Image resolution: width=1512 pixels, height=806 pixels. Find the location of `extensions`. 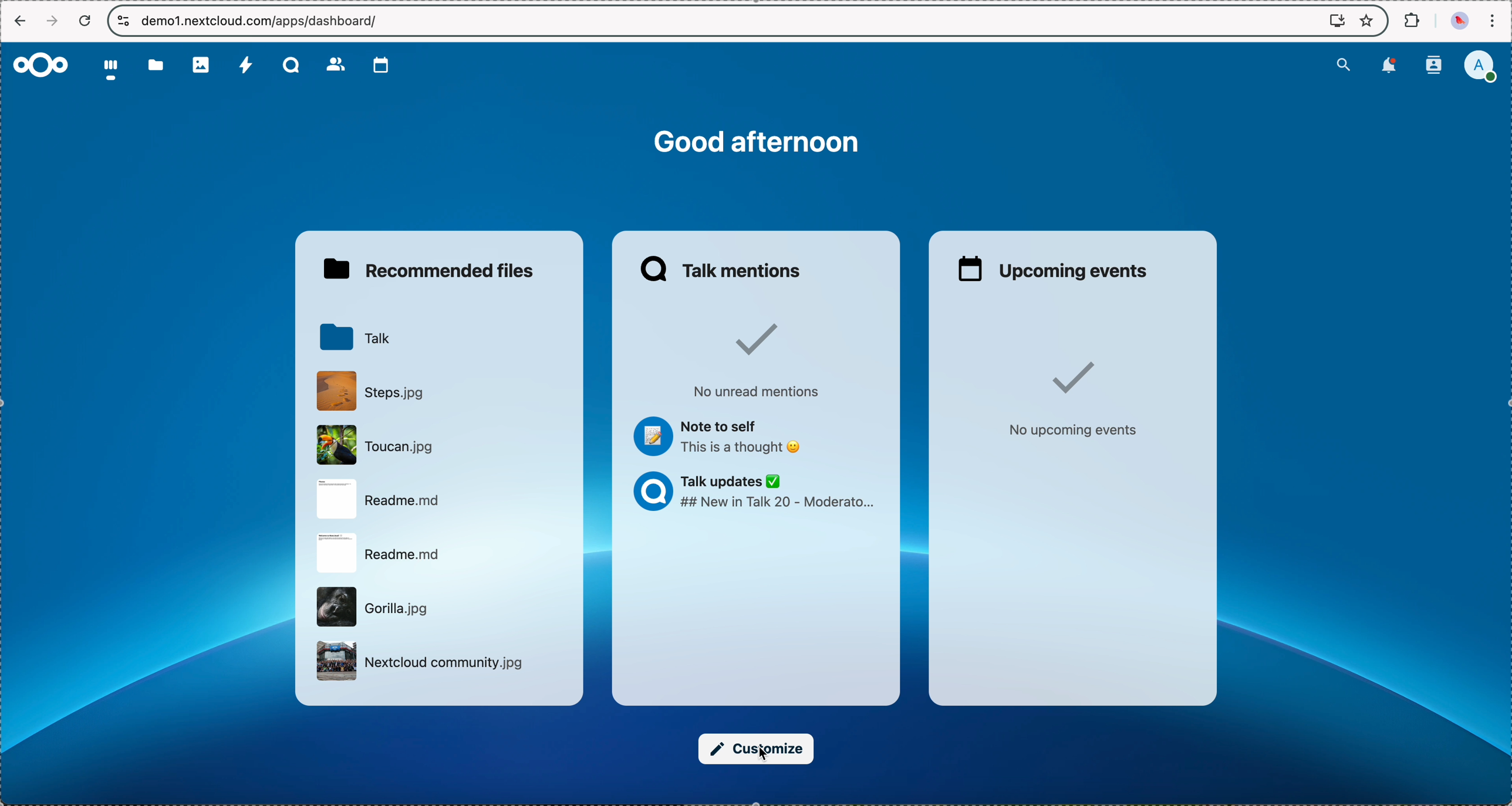

extensions is located at coordinates (1410, 19).